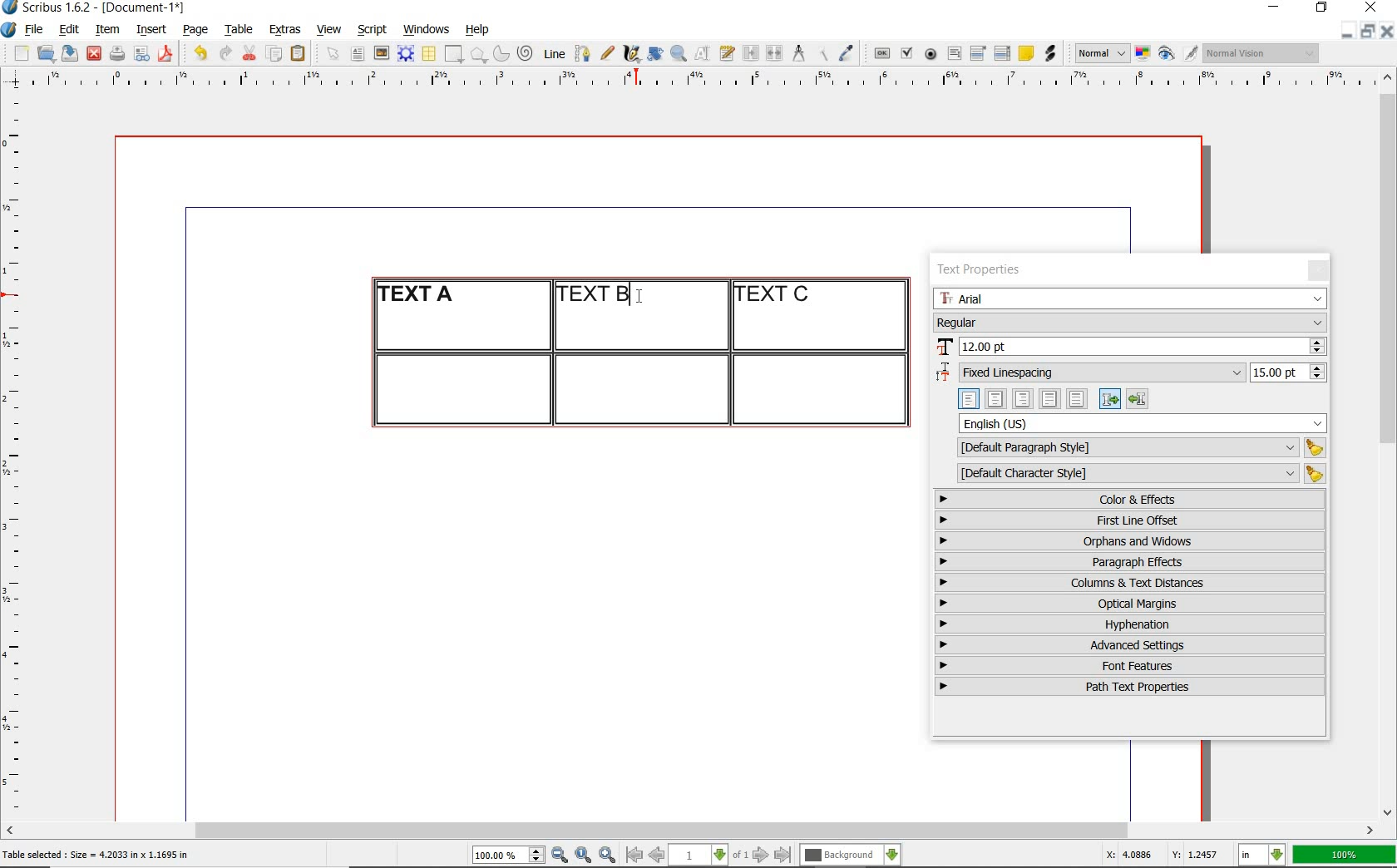 The height and width of the screenshot is (868, 1397). I want to click on font style, so click(1130, 322).